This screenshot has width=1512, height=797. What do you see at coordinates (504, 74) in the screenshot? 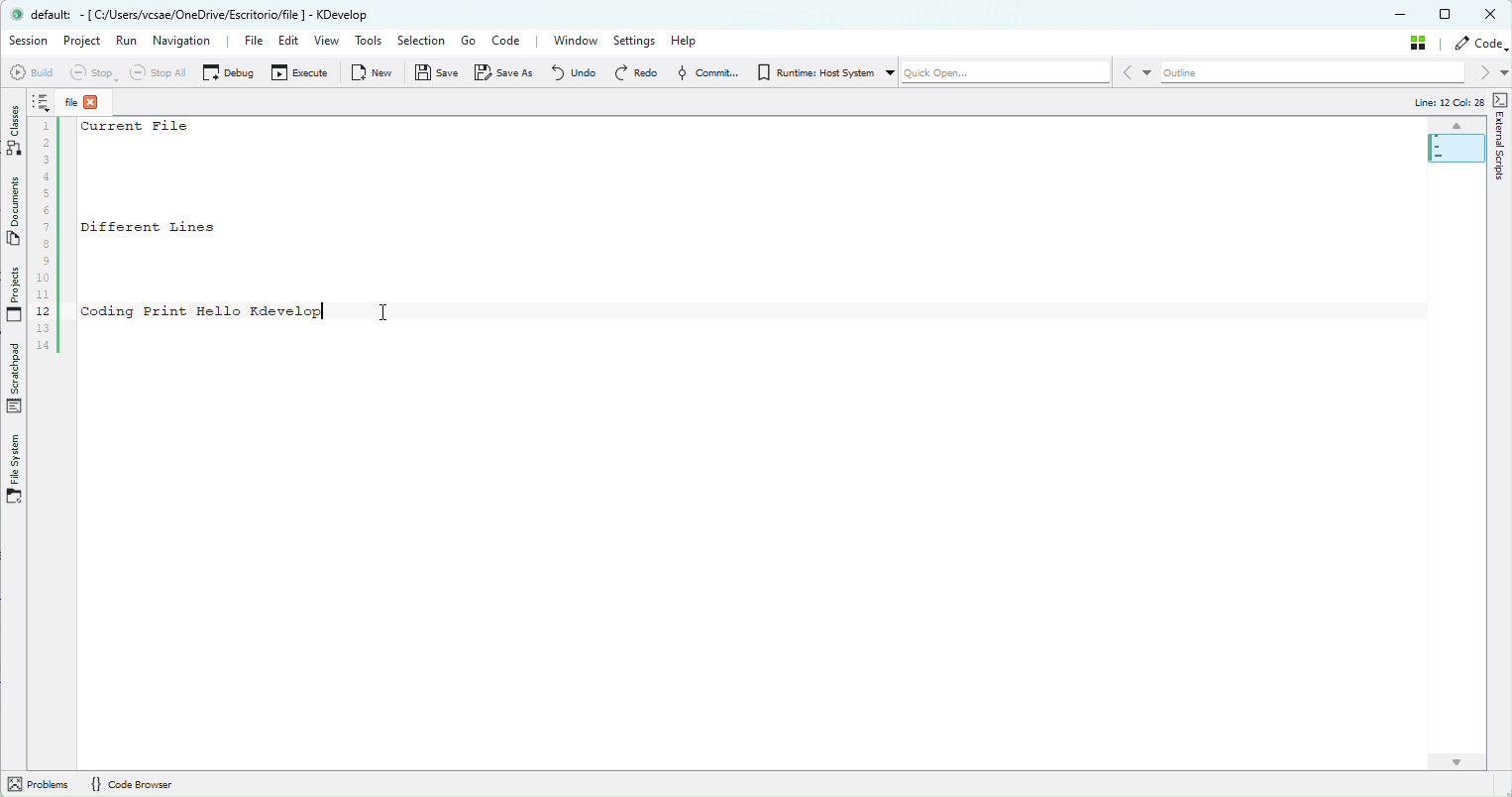
I see `Save as` at bounding box center [504, 74].